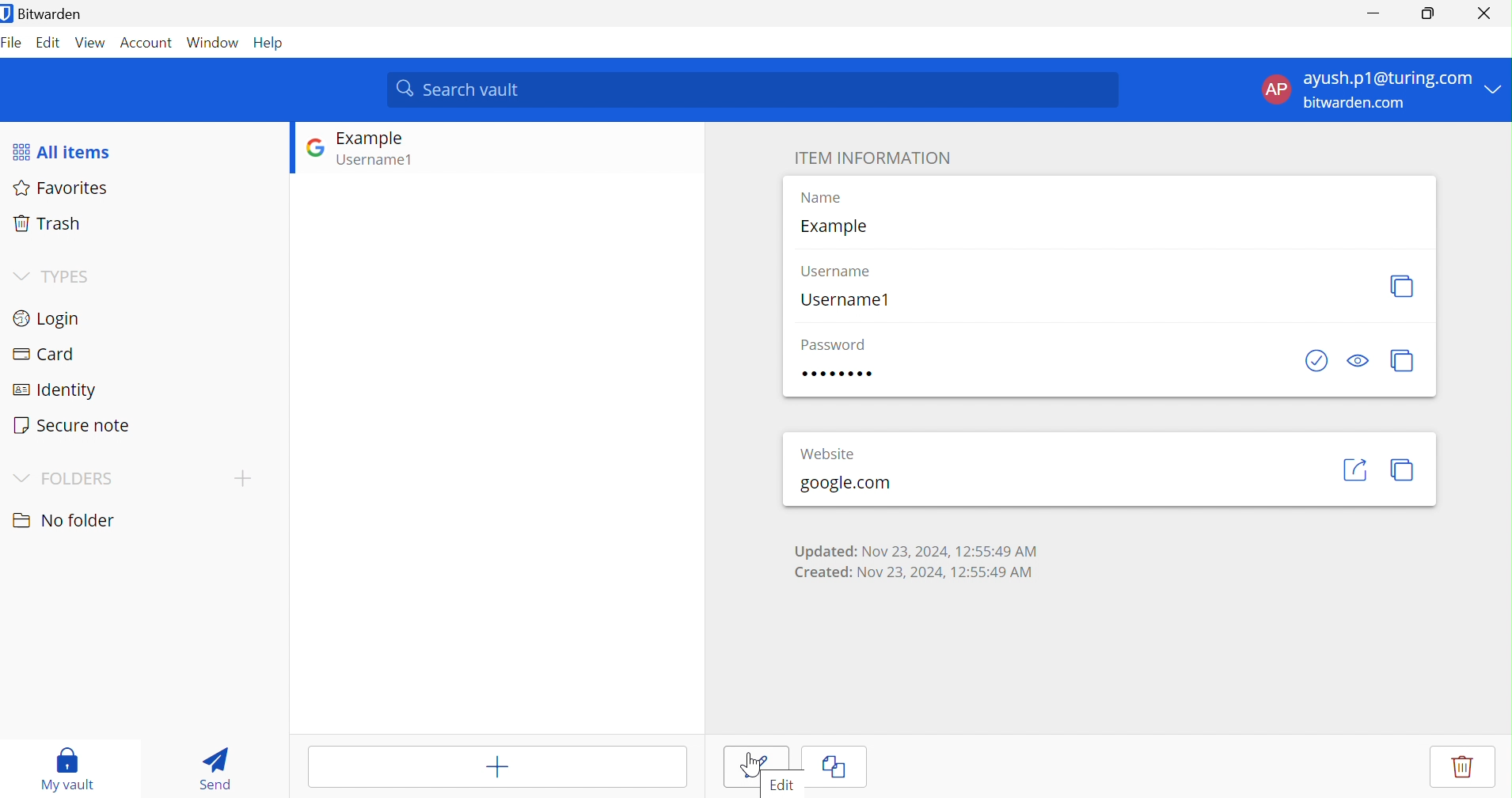 The width and height of the screenshot is (1512, 798). Describe the element at coordinates (66, 189) in the screenshot. I see `Favorites` at that location.